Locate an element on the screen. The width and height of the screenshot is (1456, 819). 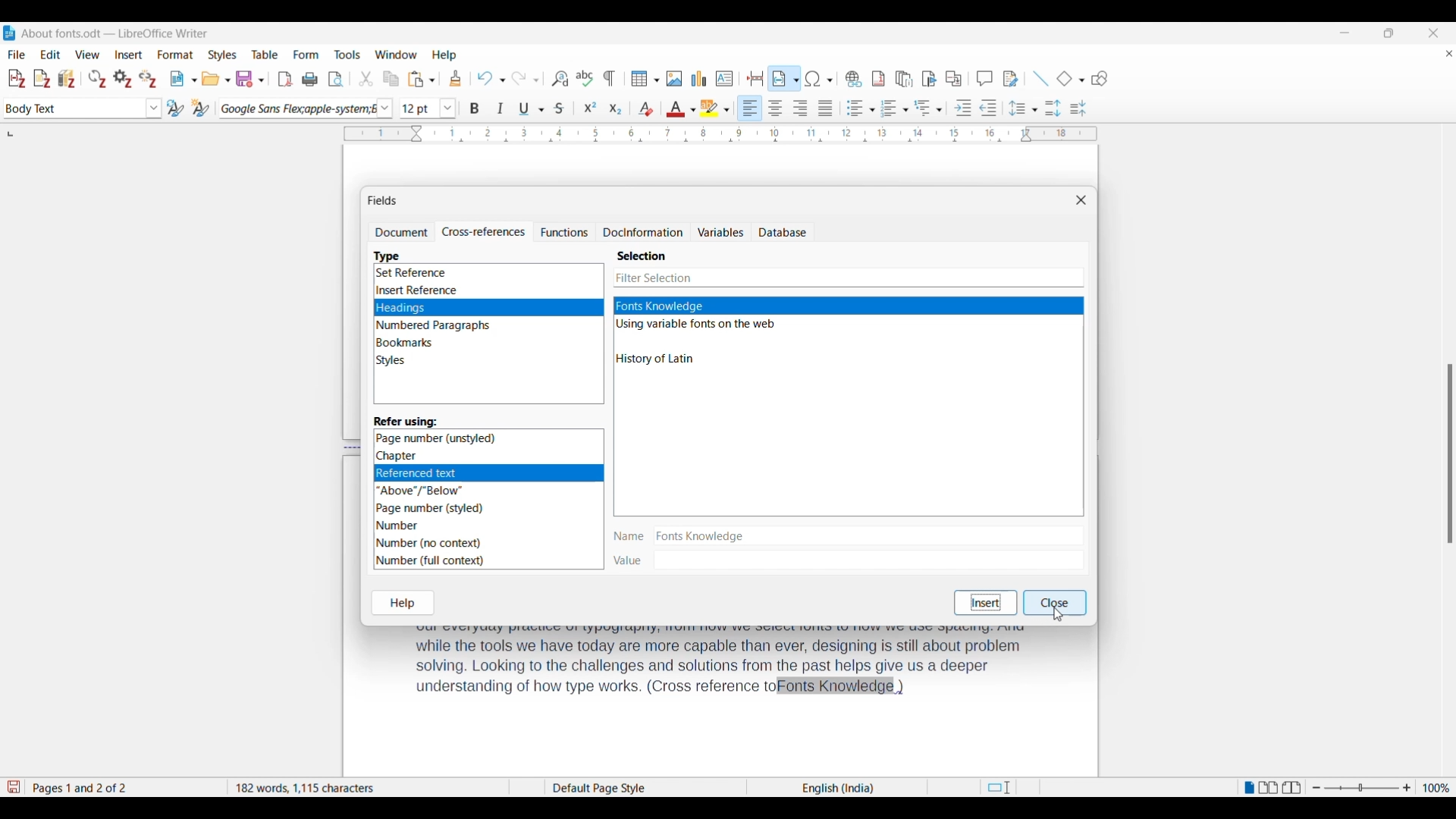
Insert footnote is located at coordinates (877, 79).